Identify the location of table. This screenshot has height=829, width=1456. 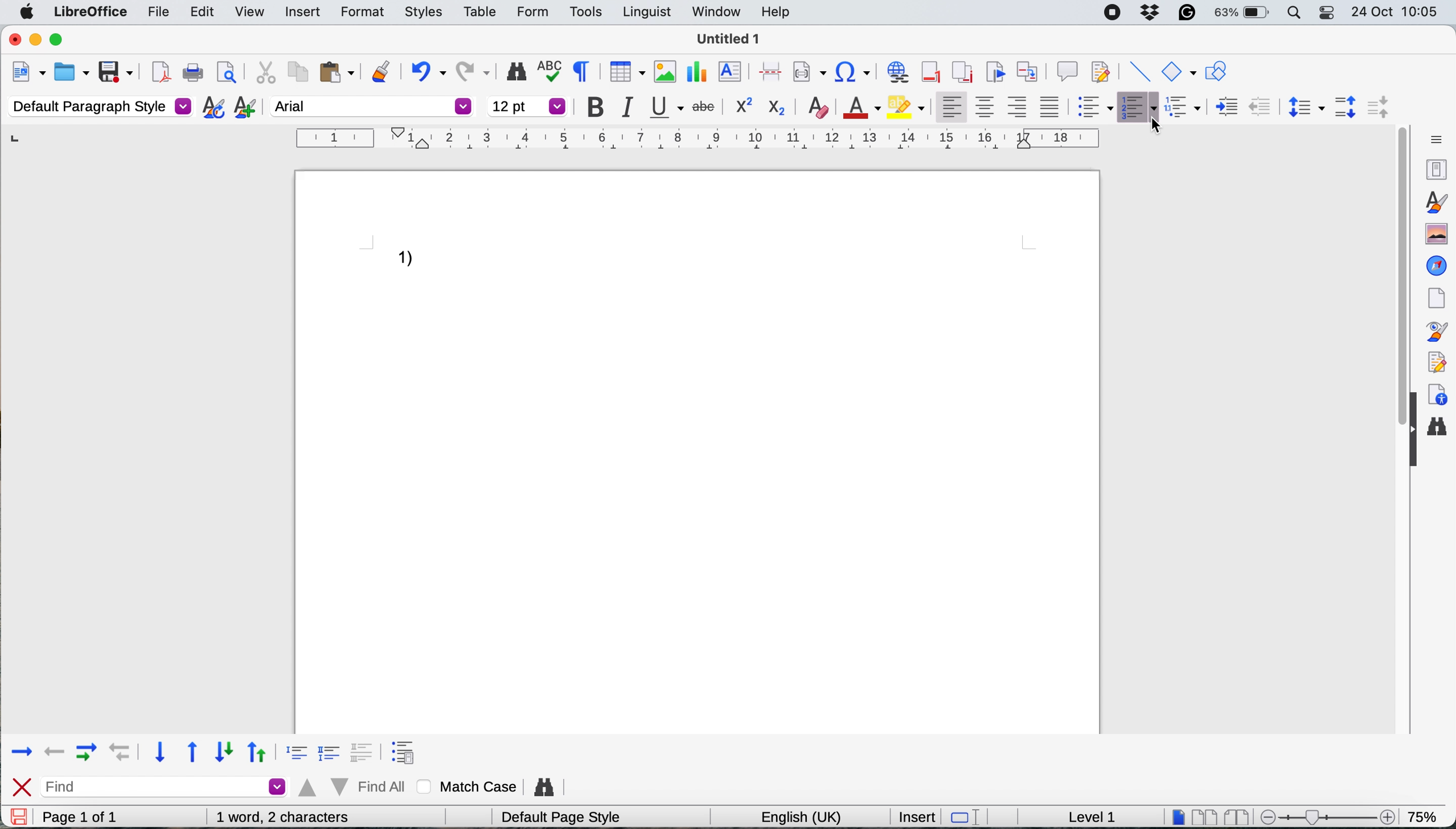
(483, 11).